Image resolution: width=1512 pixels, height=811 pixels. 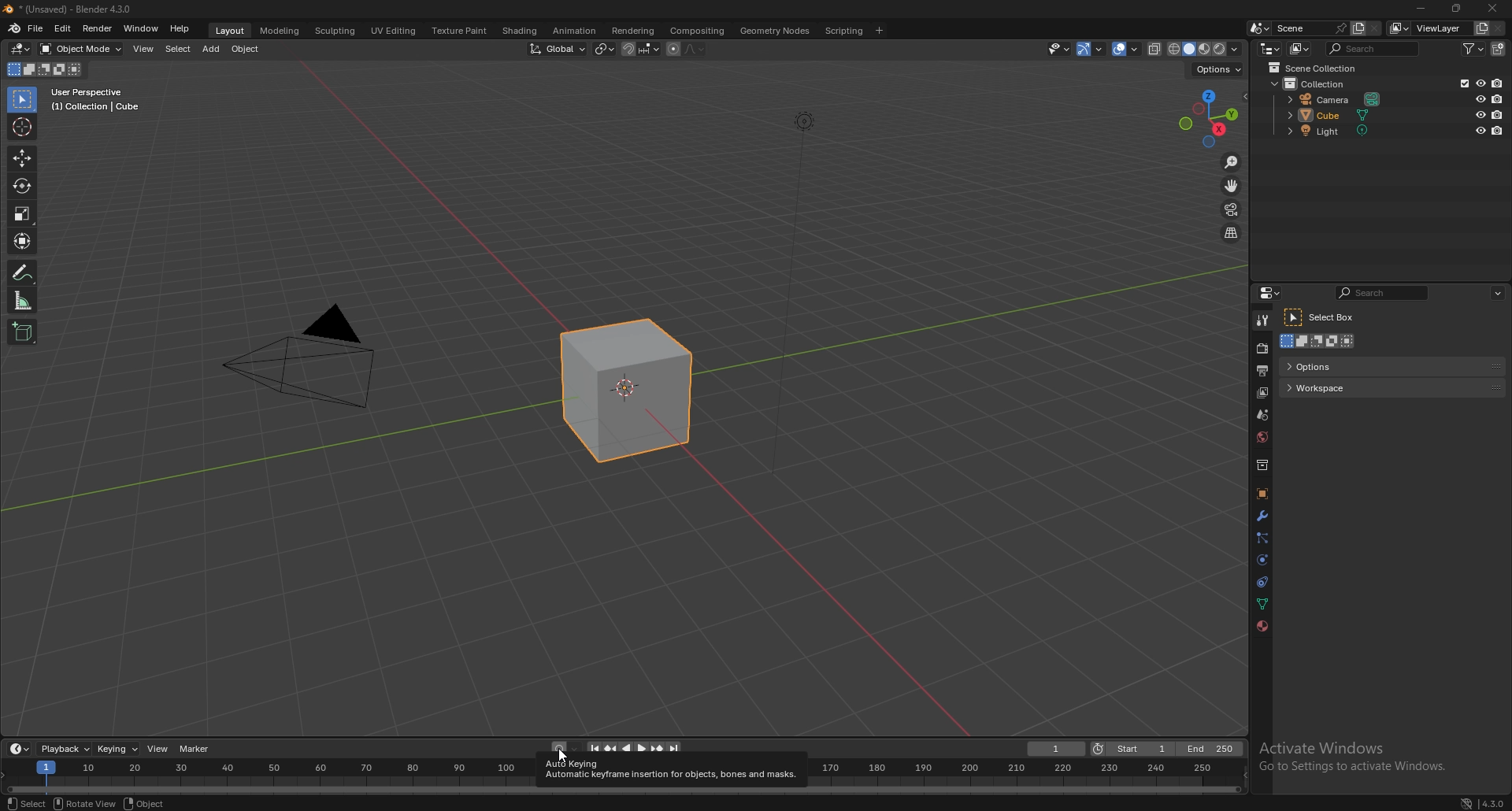 What do you see at coordinates (1206, 49) in the screenshot?
I see `view port shading` at bounding box center [1206, 49].